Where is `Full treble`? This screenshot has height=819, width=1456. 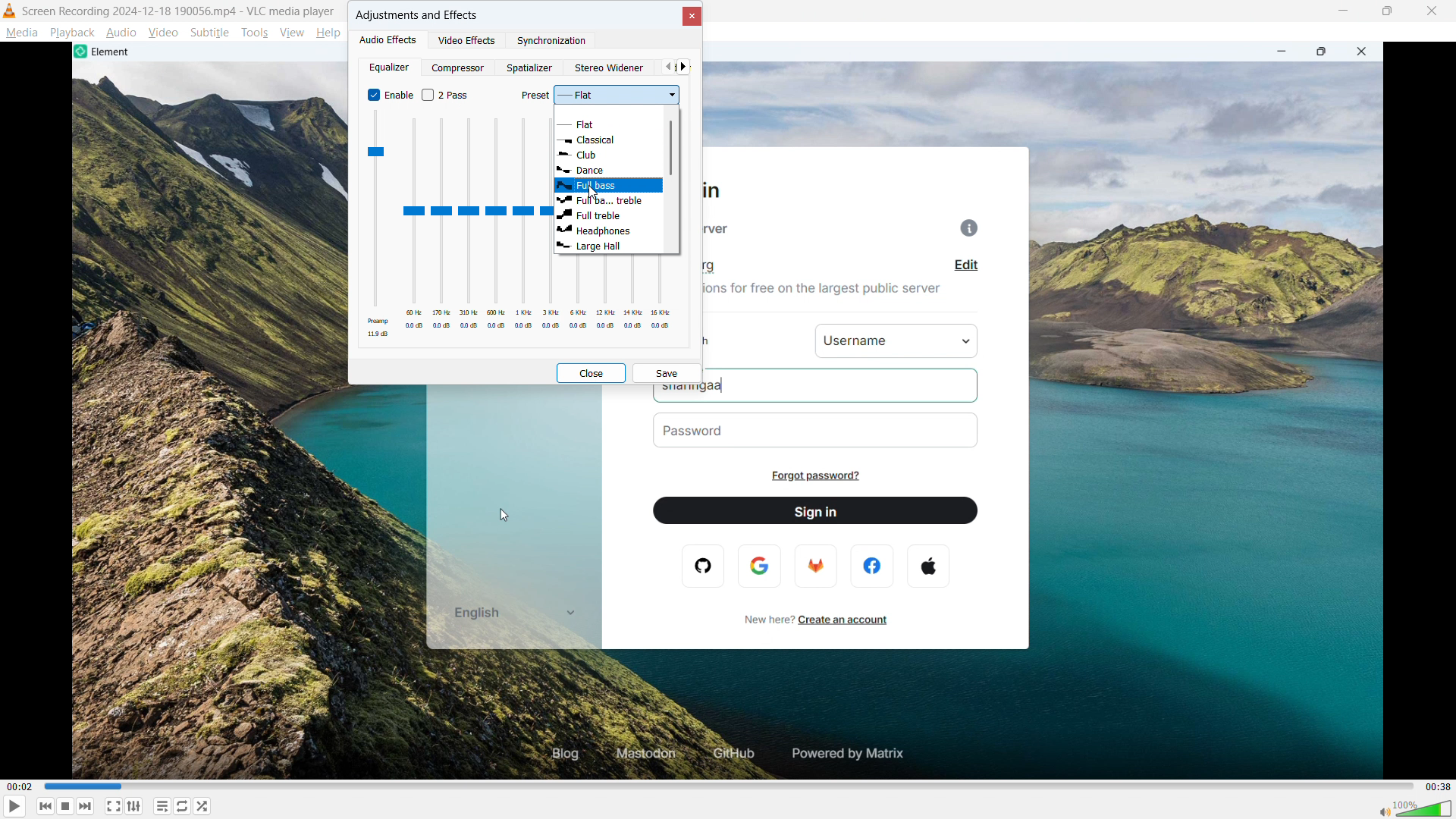 Full treble is located at coordinates (610, 215).